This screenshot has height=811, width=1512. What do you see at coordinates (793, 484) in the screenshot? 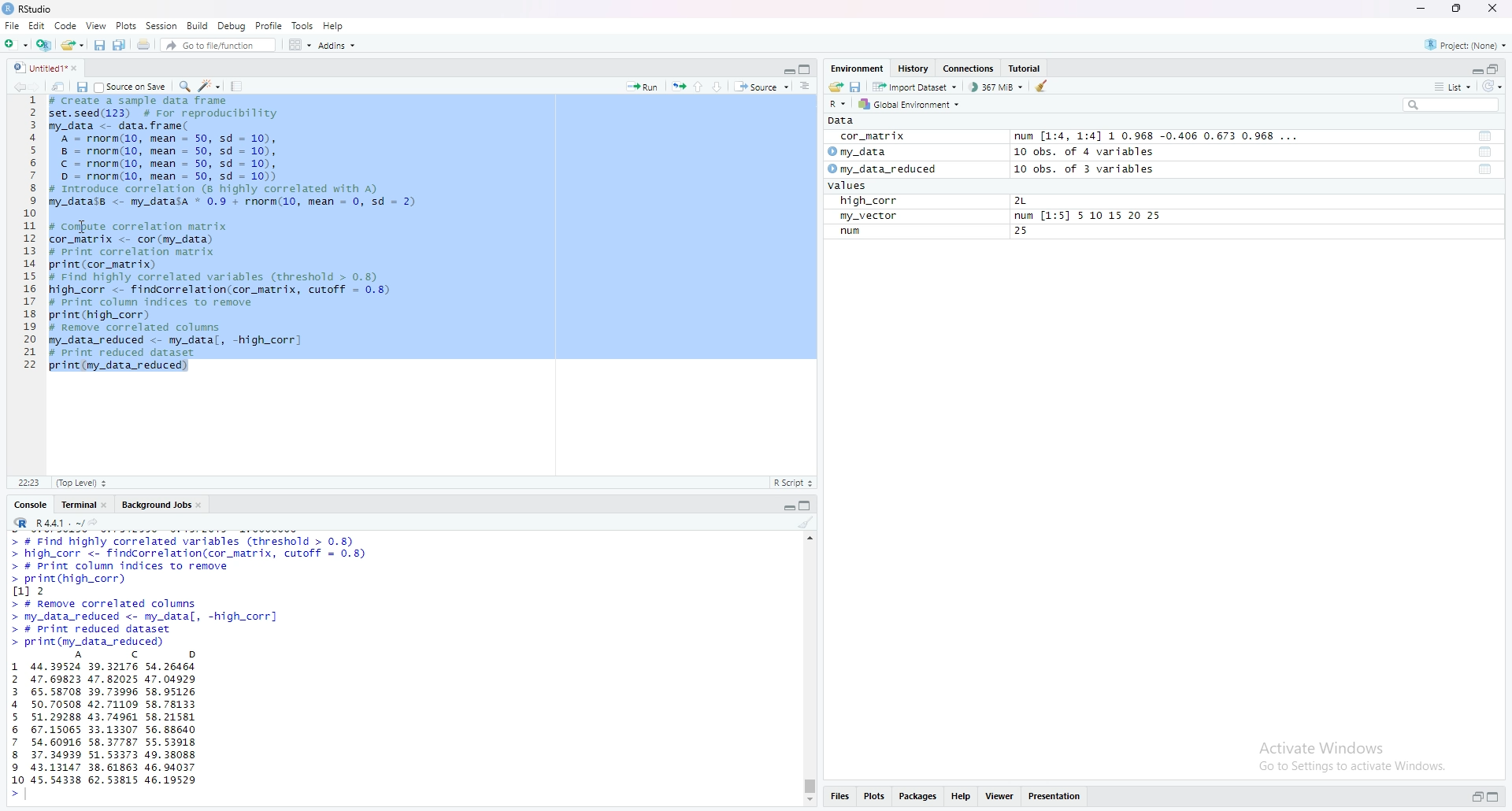
I see `R Script ` at bounding box center [793, 484].